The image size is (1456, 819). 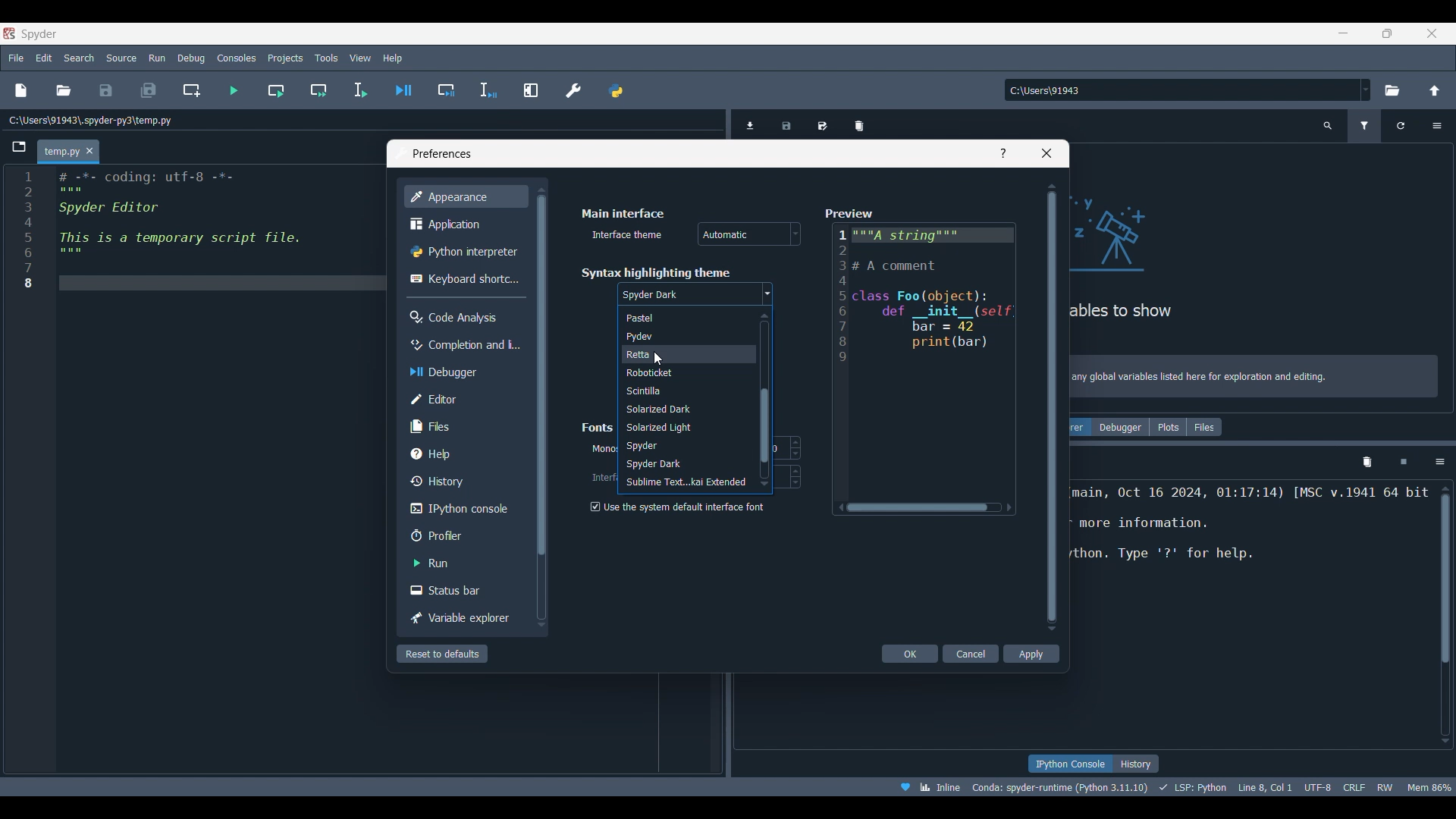 What do you see at coordinates (1391, 90) in the screenshot?
I see `Browse a working directory` at bounding box center [1391, 90].